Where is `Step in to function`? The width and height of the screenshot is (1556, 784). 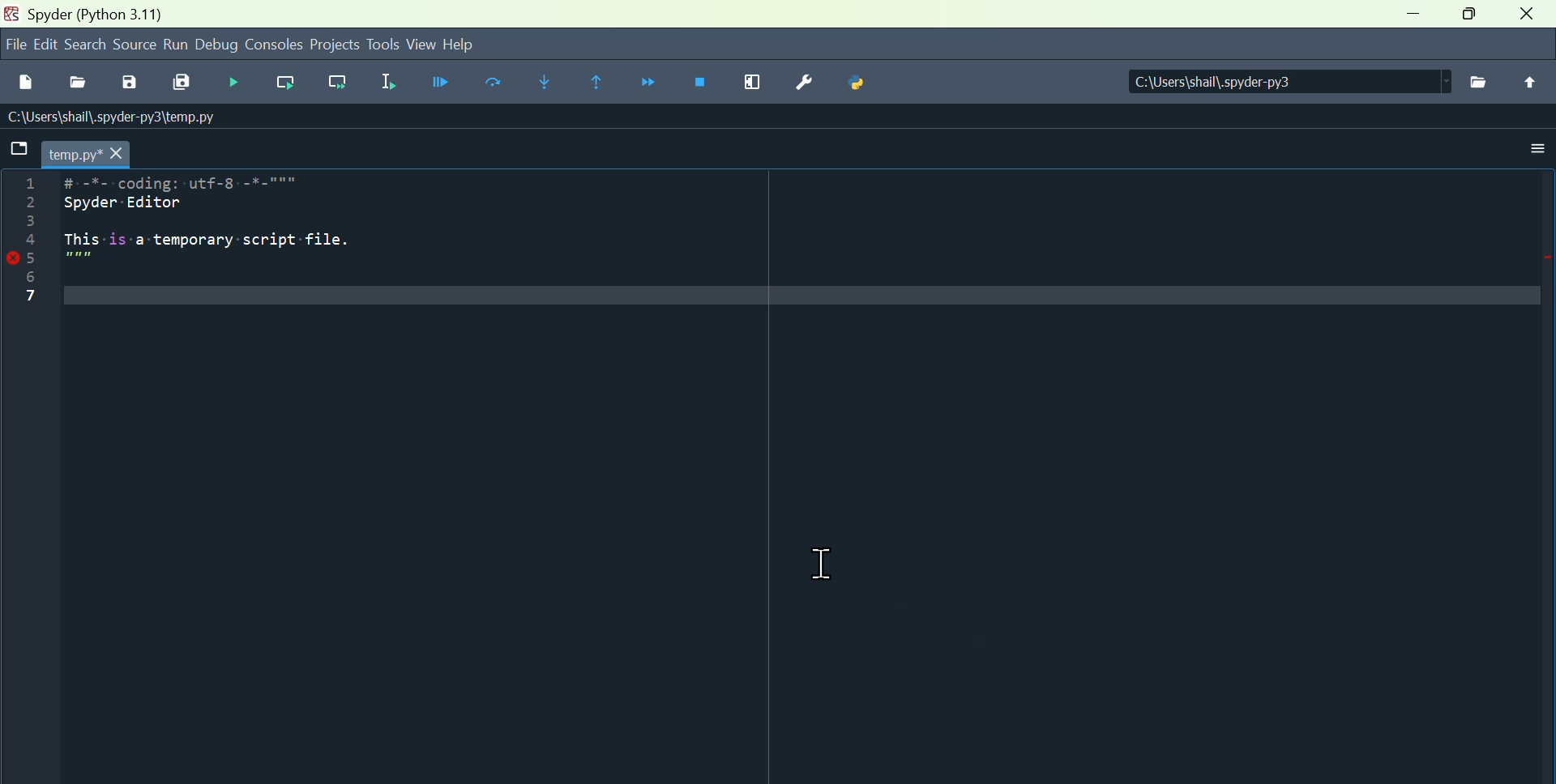
Step in to function is located at coordinates (541, 83).